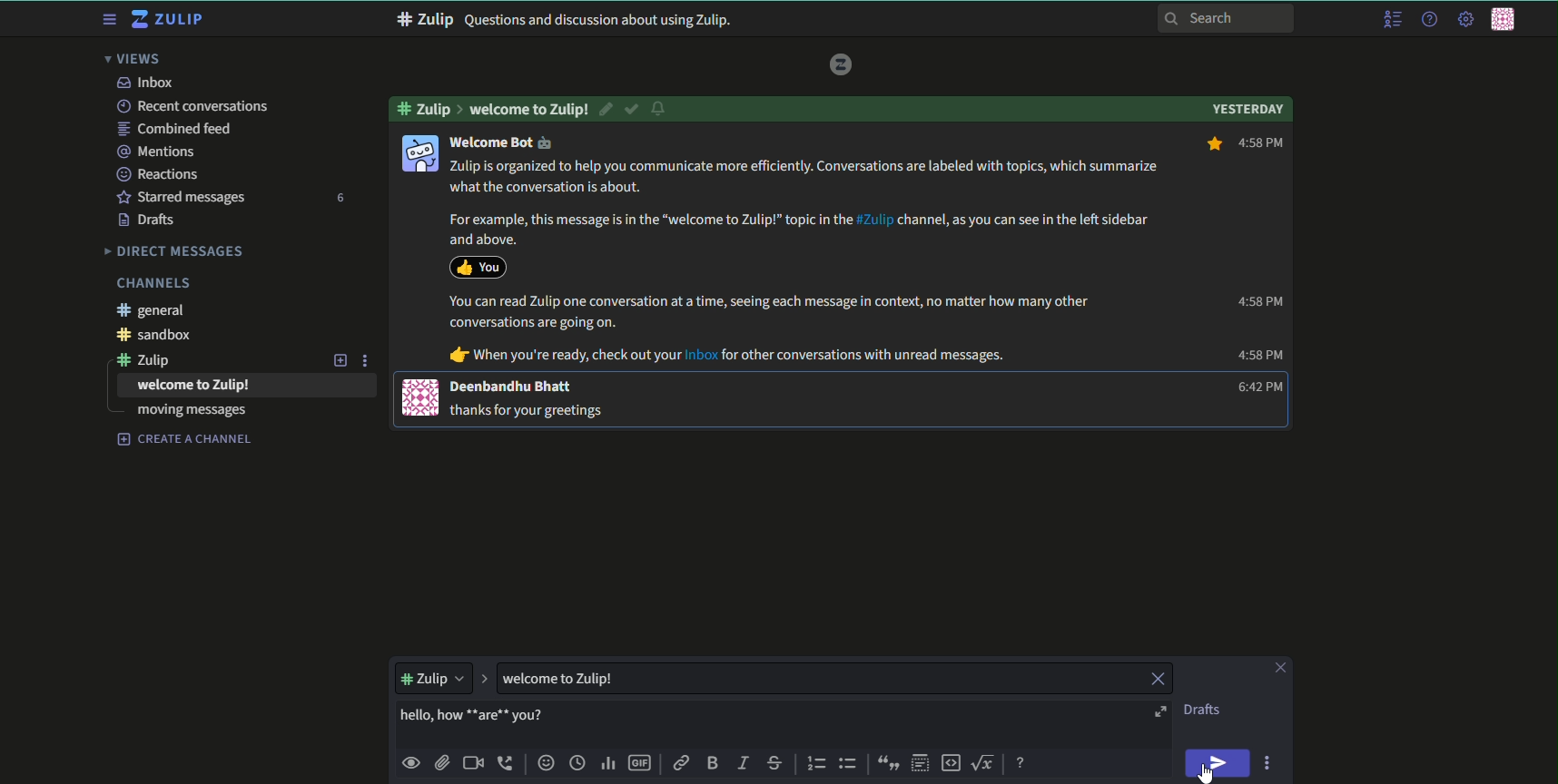 This screenshot has width=1558, height=784. I want to click on preview, so click(412, 761).